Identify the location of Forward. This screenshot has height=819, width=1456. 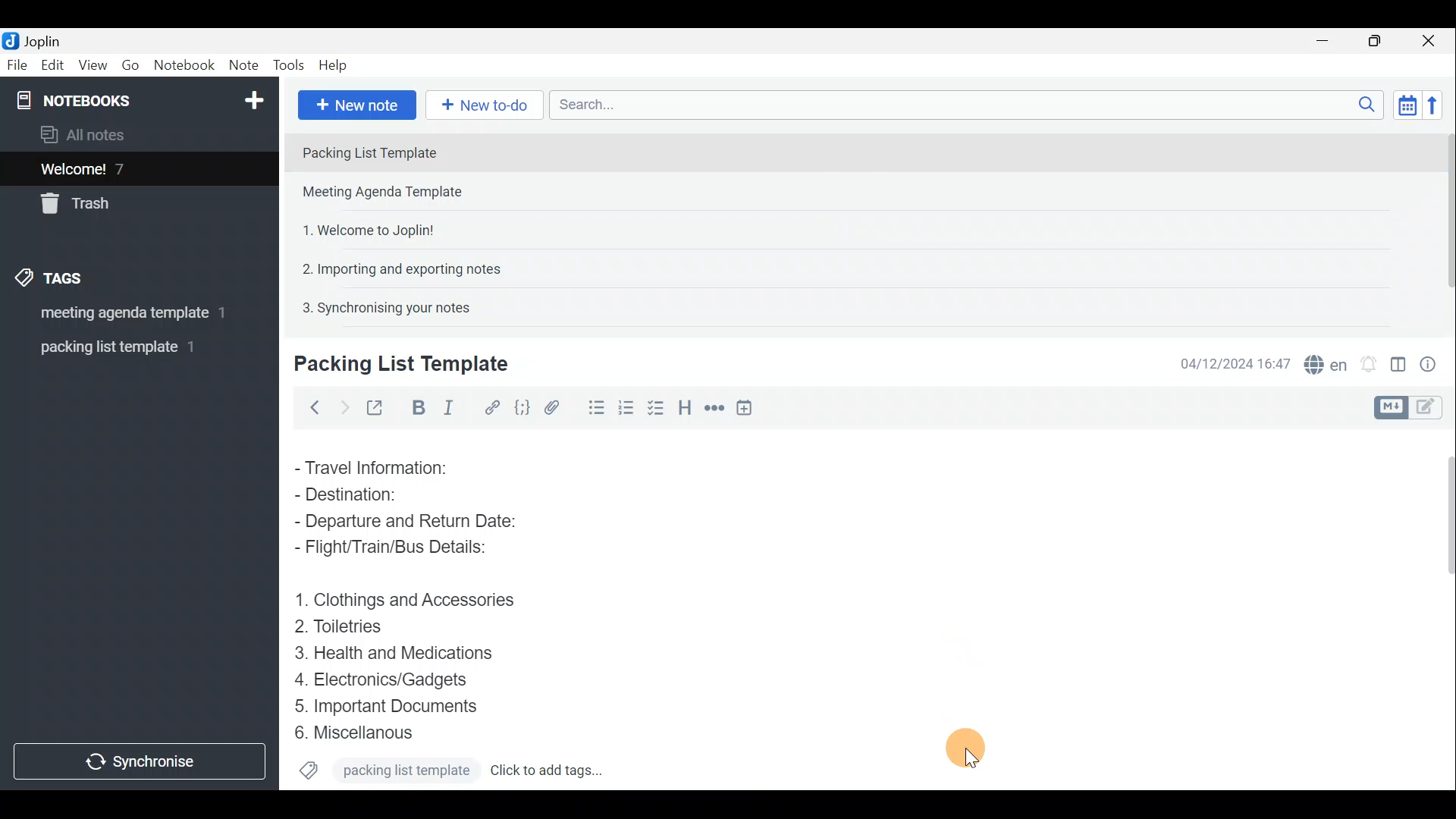
(341, 406).